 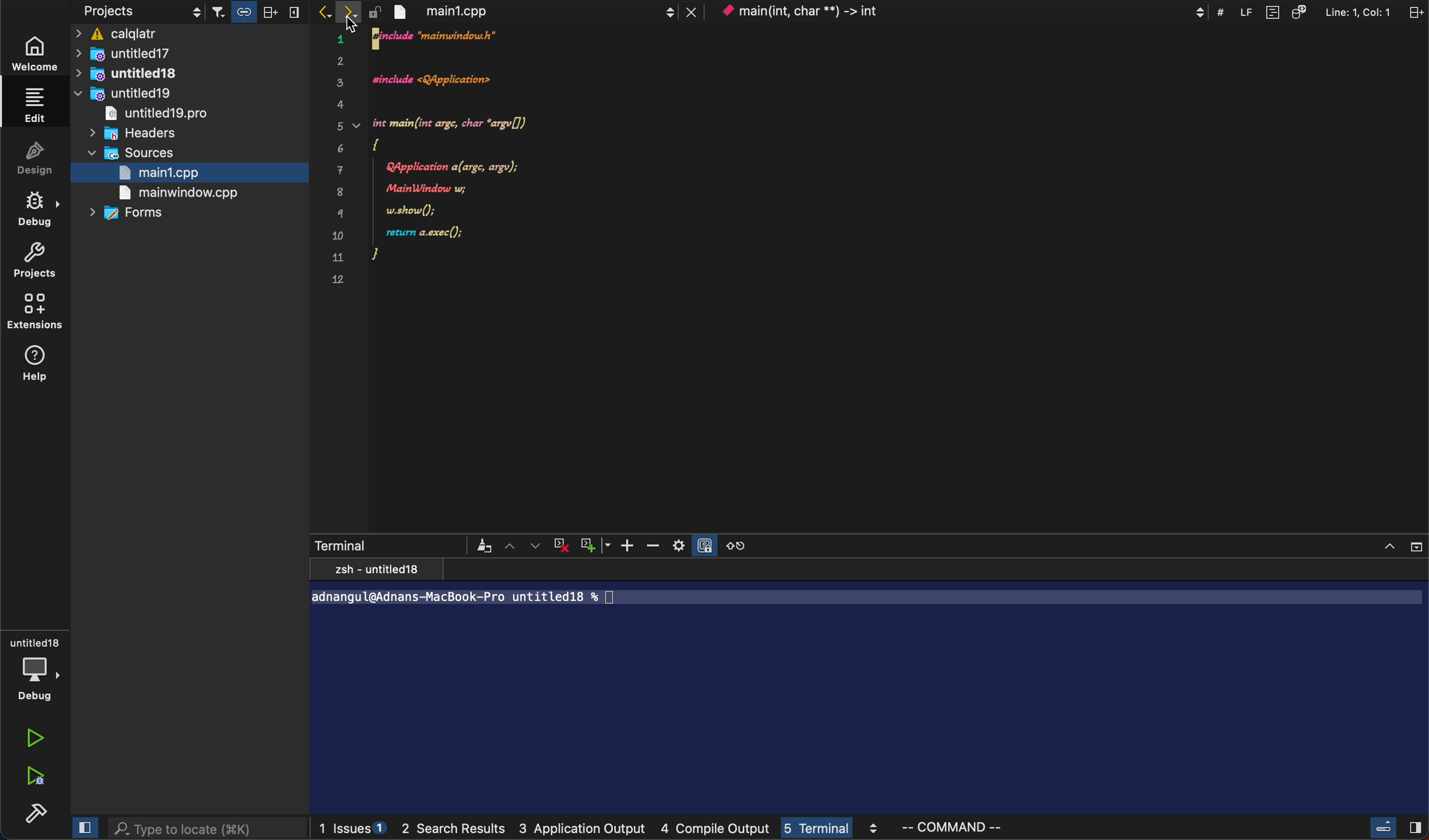 I want to click on terminal, so click(x=832, y=829).